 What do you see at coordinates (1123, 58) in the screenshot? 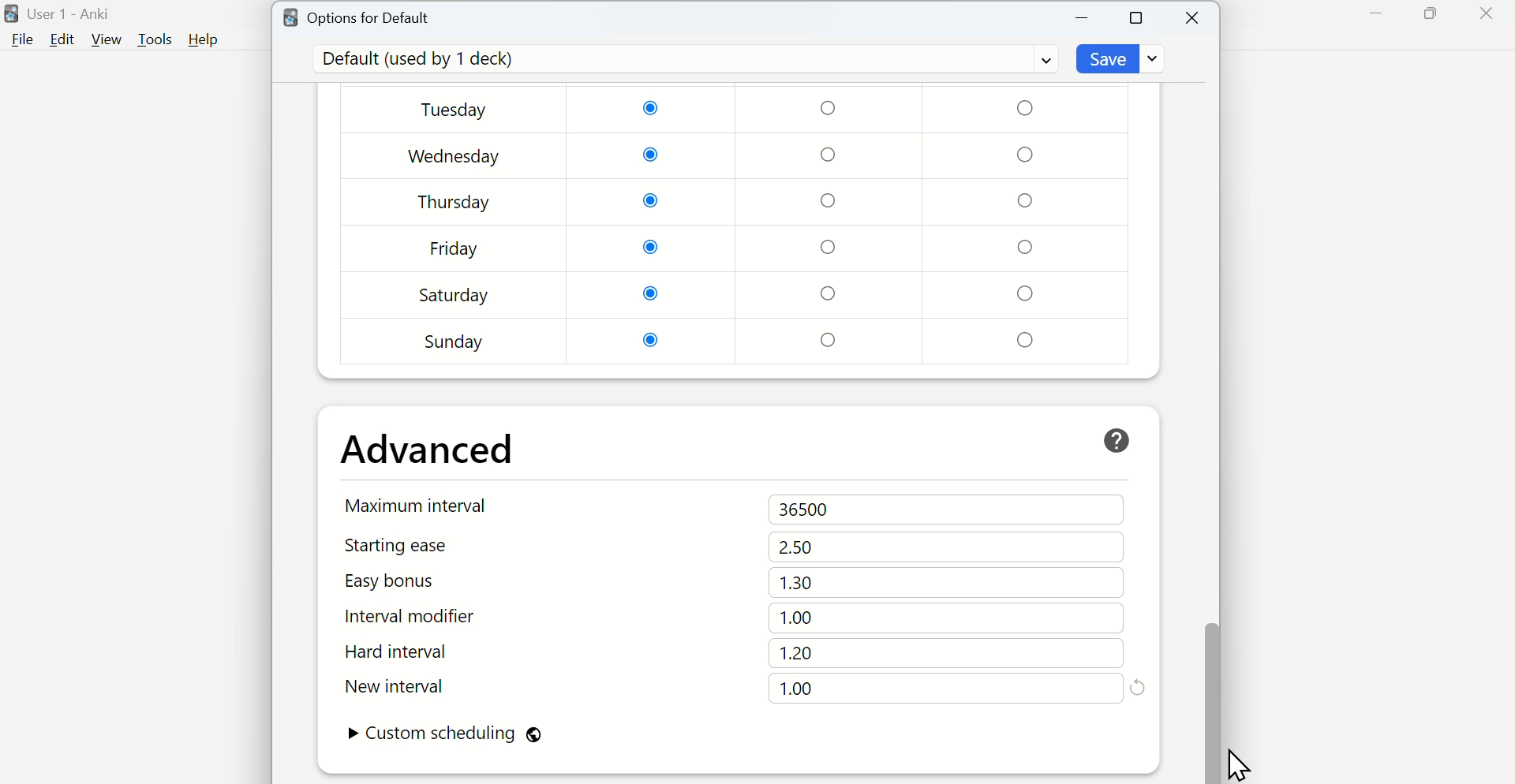
I see `Save` at bounding box center [1123, 58].